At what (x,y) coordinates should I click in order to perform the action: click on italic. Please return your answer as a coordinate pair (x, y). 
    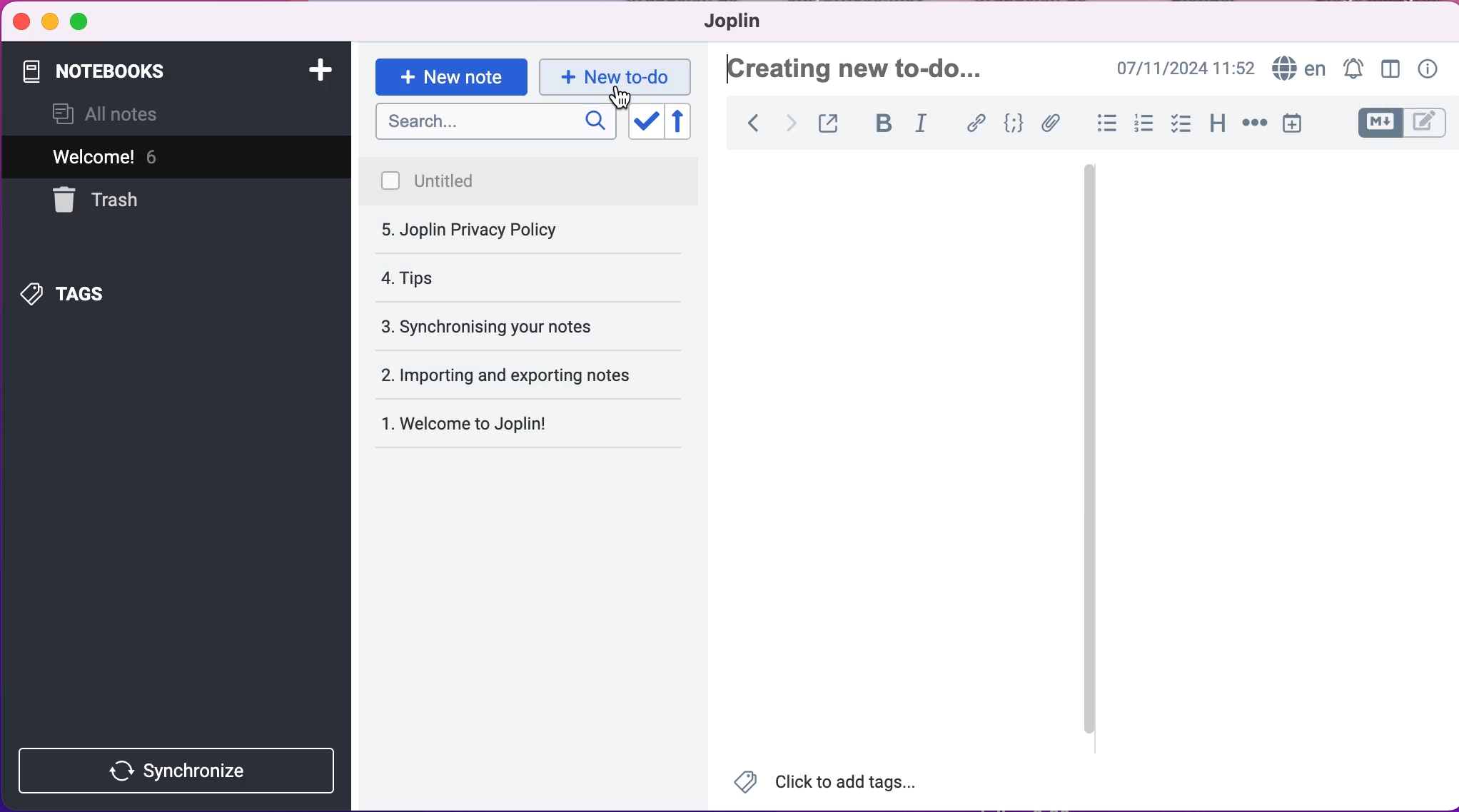
    Looking at the image, I should click on (924, 127).